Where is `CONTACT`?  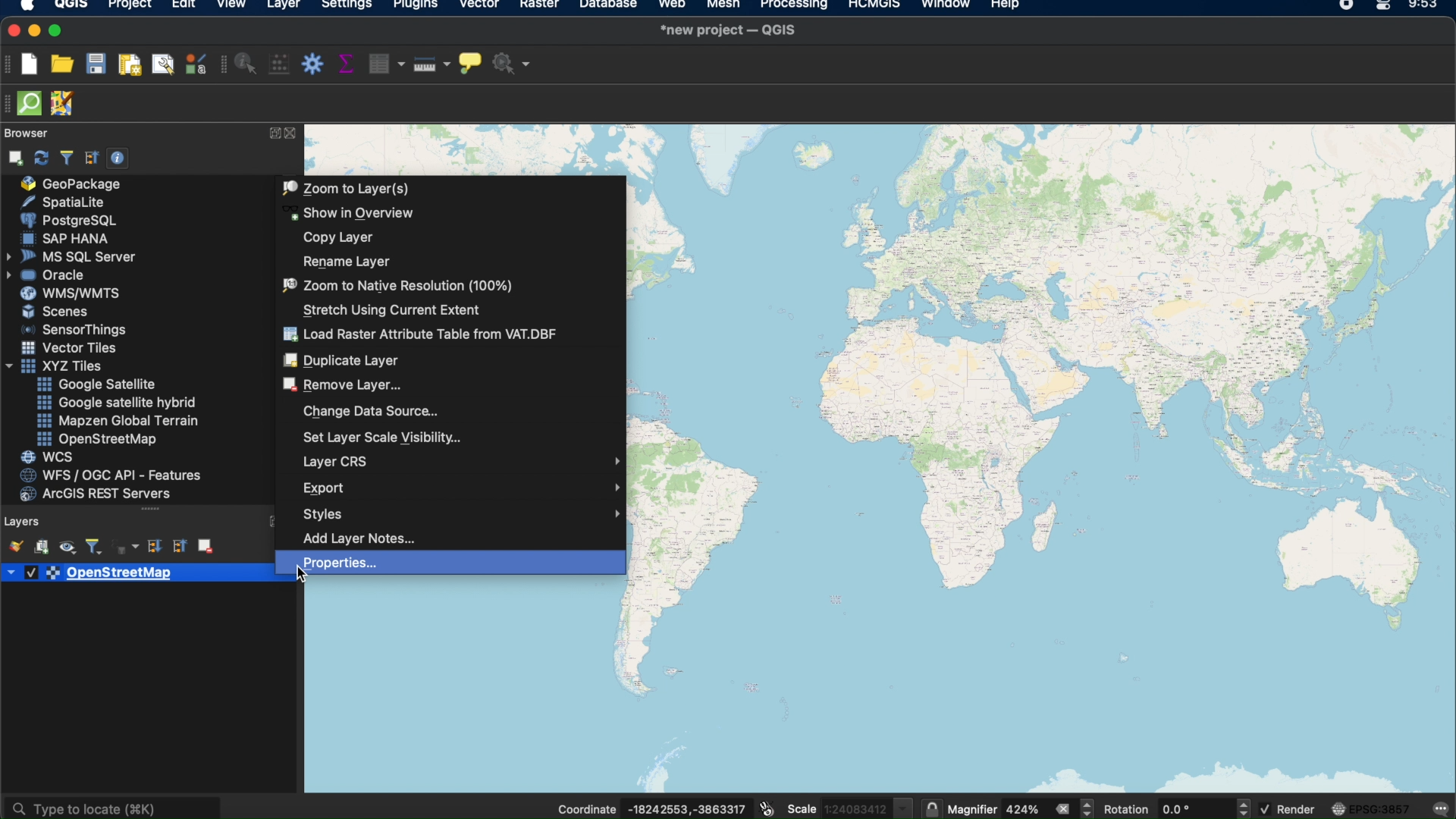
CONTACT is located at coordinates (293, 133).